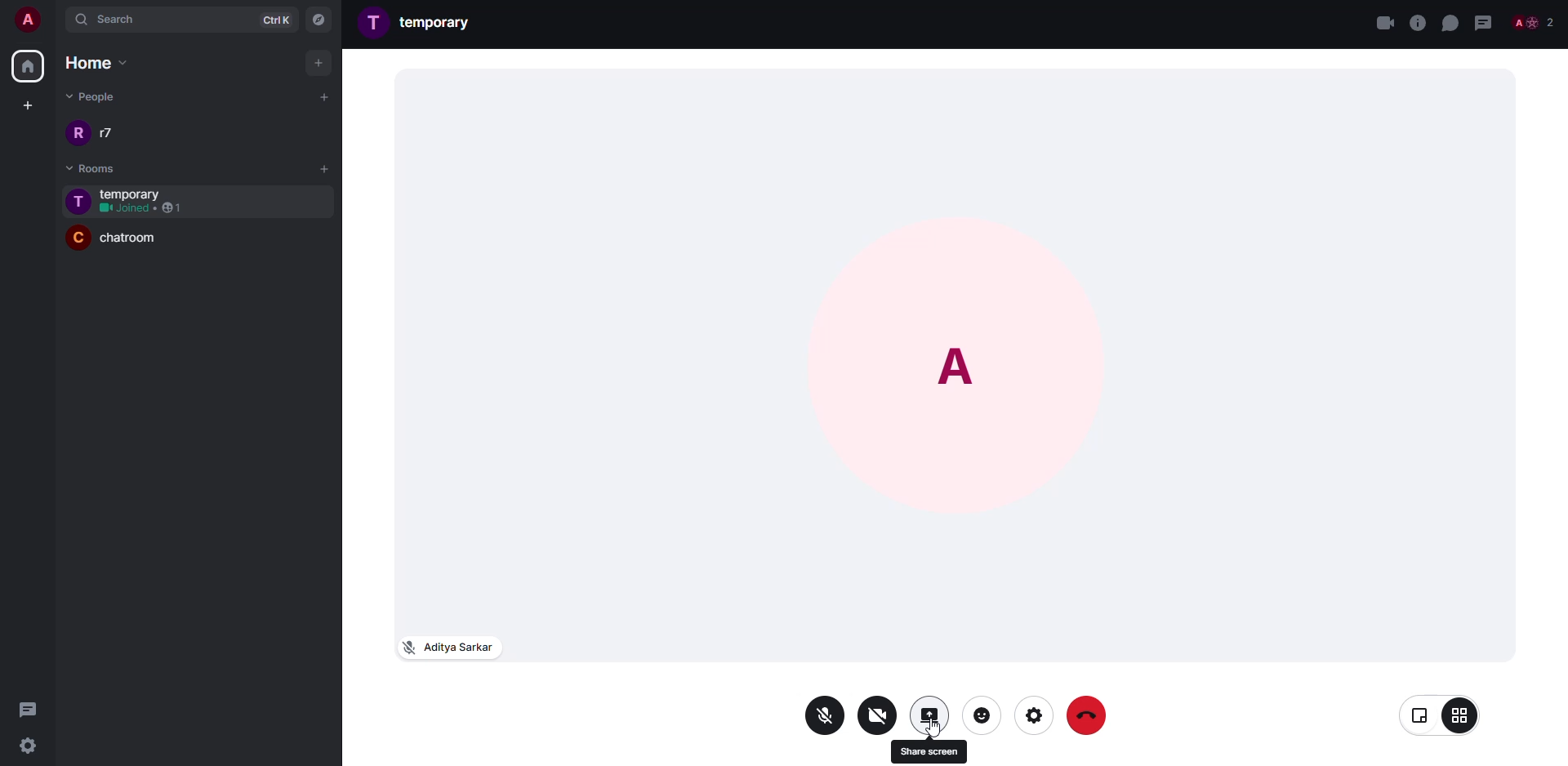 This screenshot has height=766, width=1568. What do you see at coordinates (1484, 22) in the screenshot?
I see `threads` at bounding box center [1484, 22].